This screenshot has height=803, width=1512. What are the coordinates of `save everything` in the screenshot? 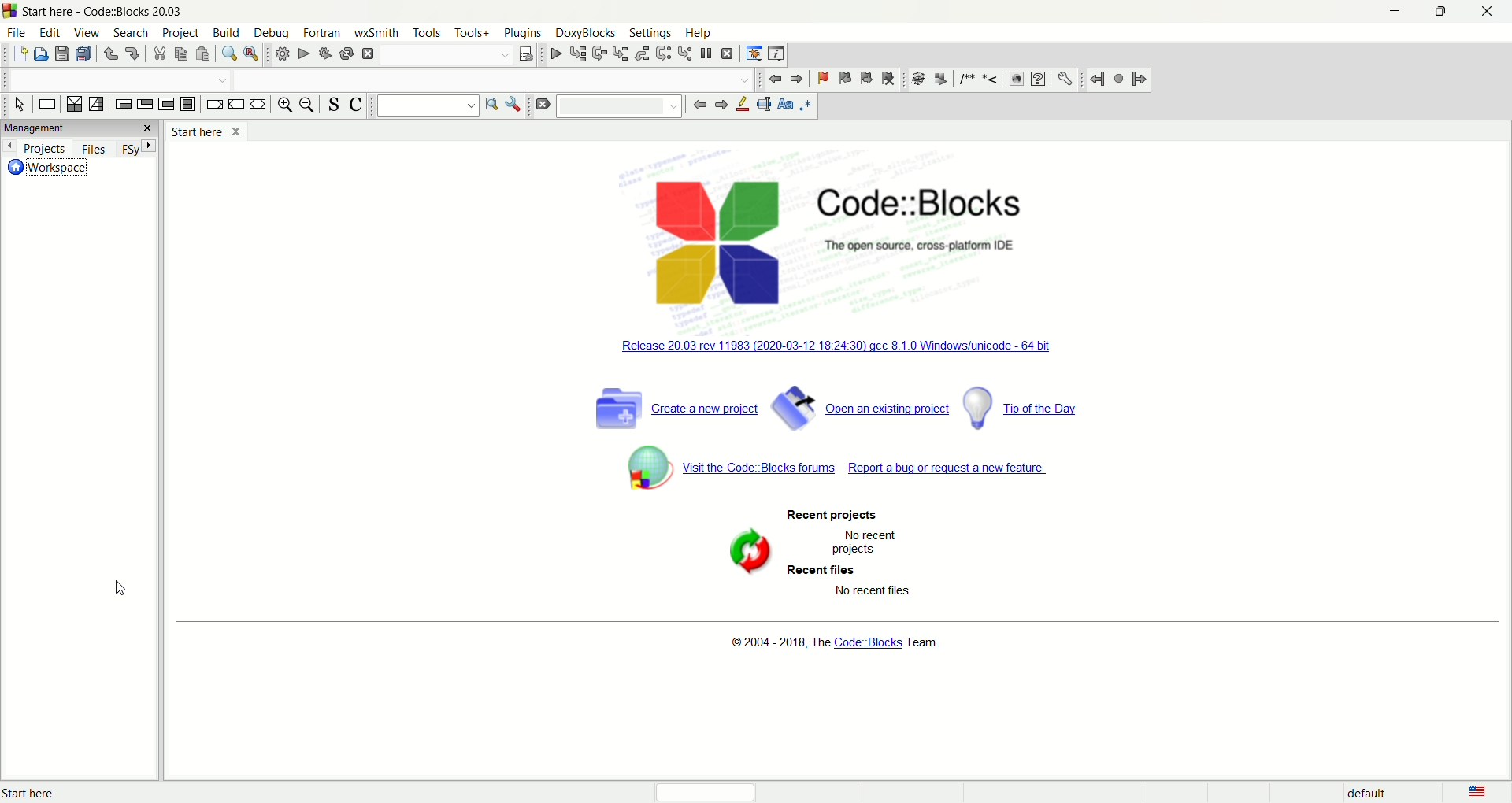 It's located at (86, 54).